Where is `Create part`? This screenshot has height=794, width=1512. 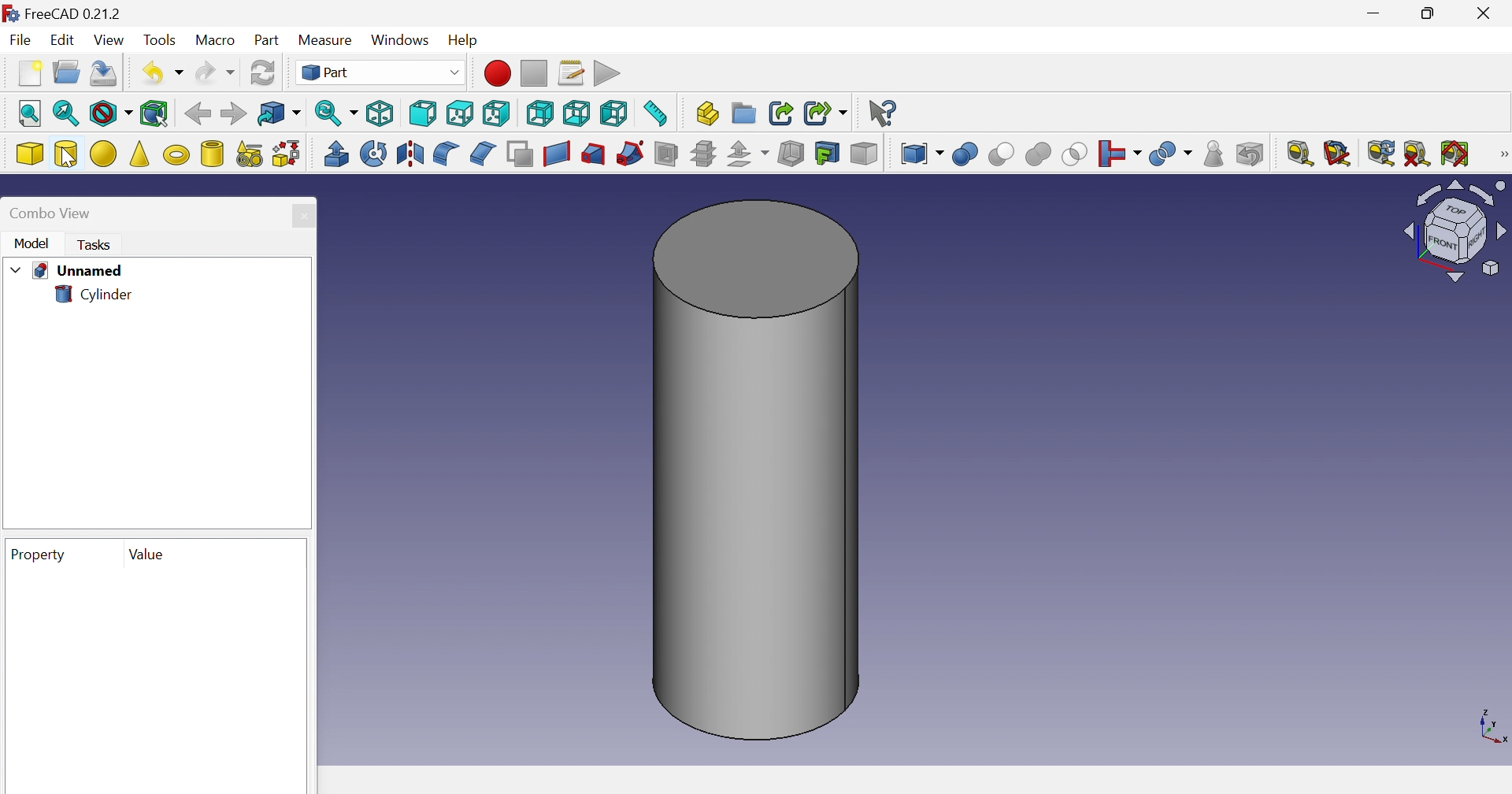 Create part is located at coordinates (707, 111).